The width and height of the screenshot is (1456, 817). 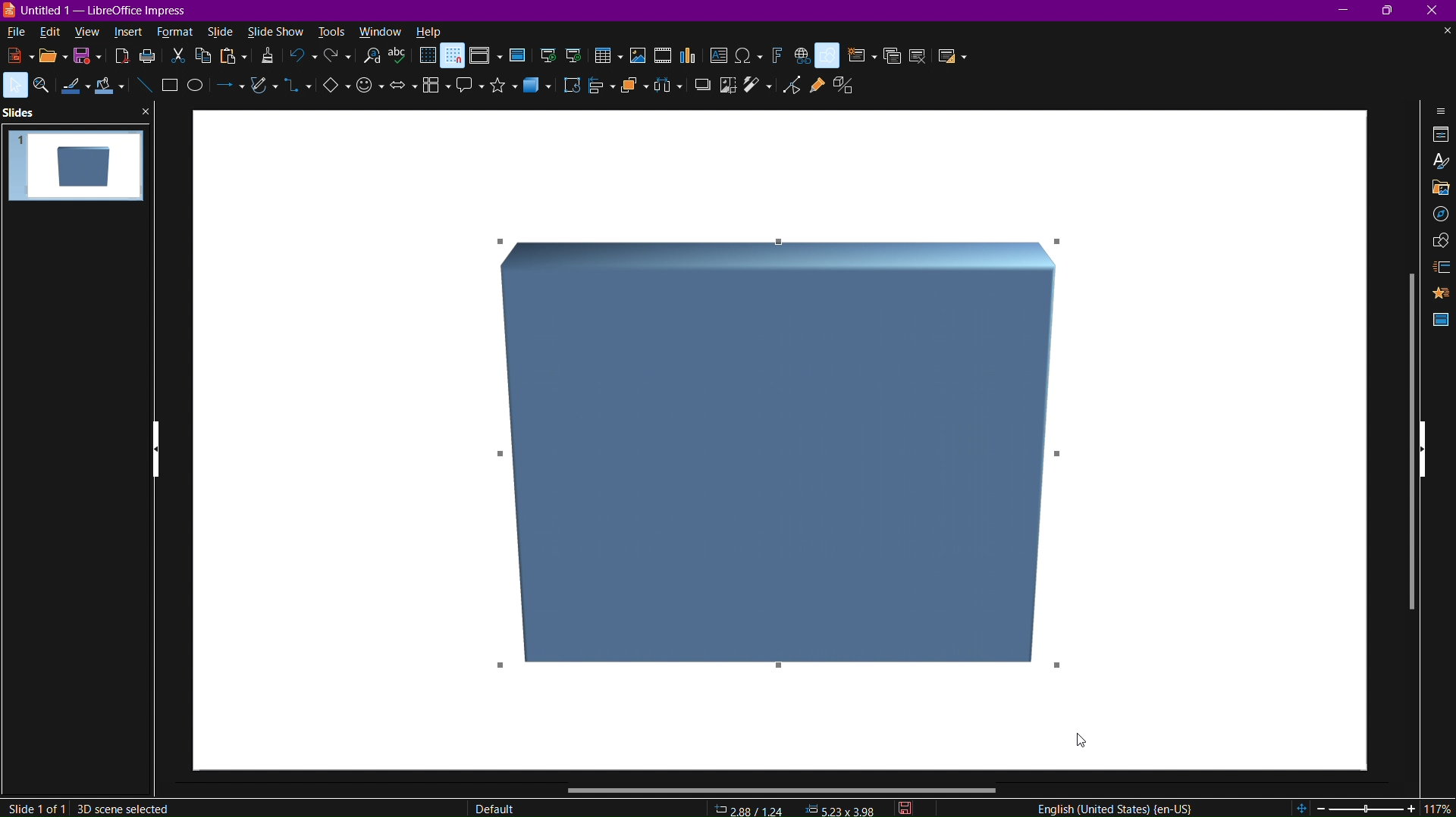 I want to click on view, so click(x=89, y=33).